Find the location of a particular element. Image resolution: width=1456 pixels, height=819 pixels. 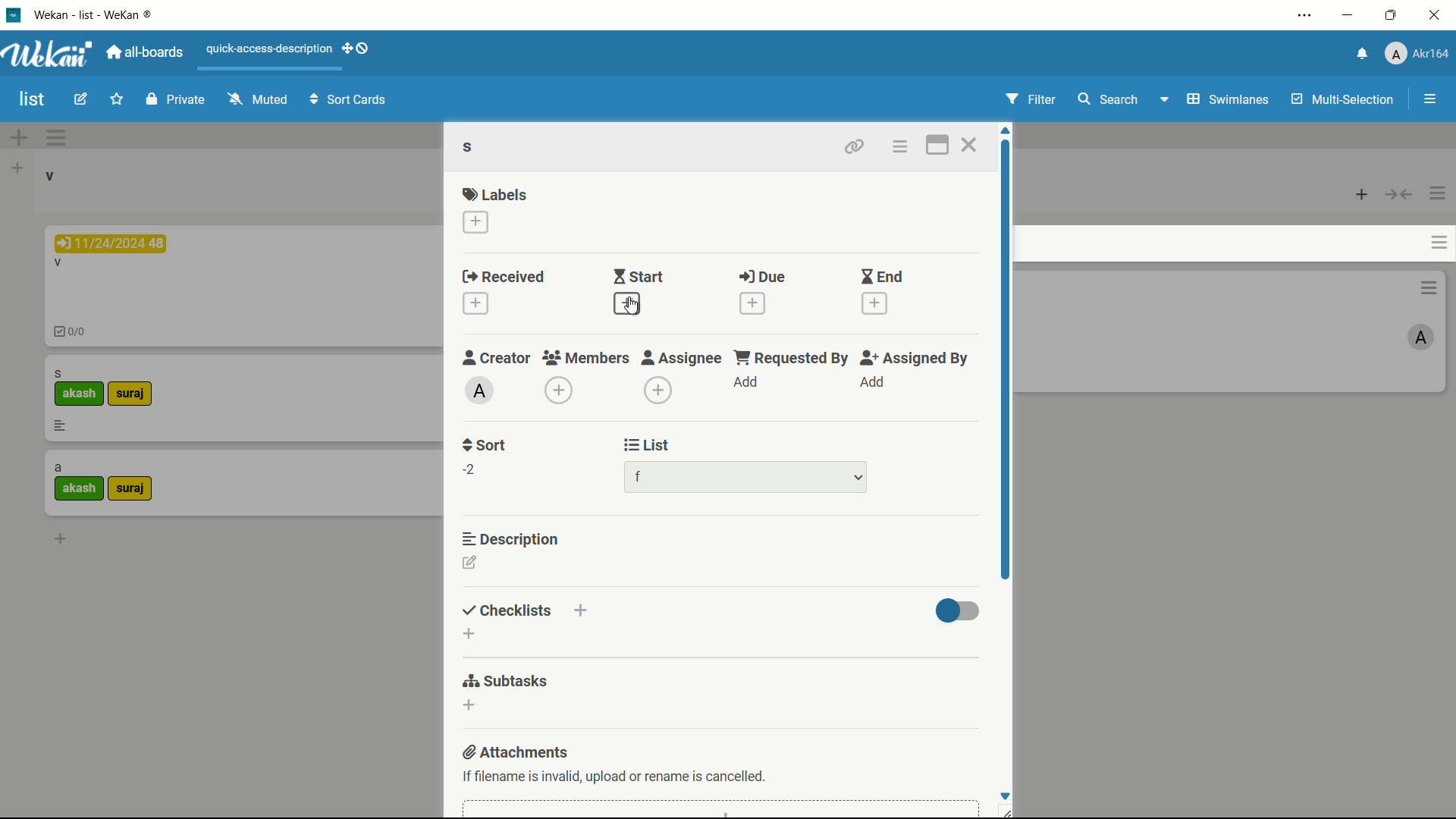

search is located at coordinates (1107, 99).